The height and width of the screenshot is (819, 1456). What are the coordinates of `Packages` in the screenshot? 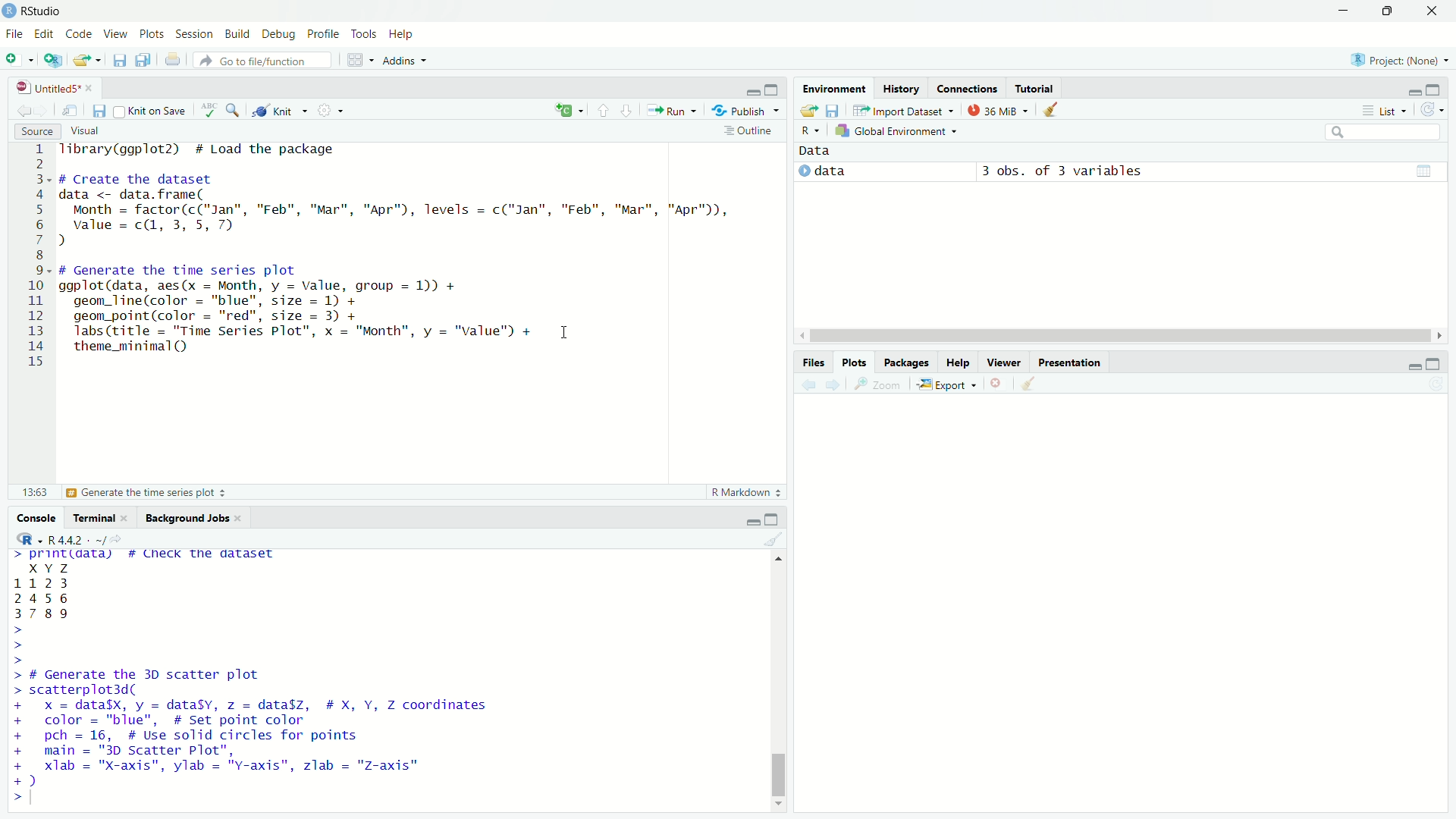 It's located at (904, 362).